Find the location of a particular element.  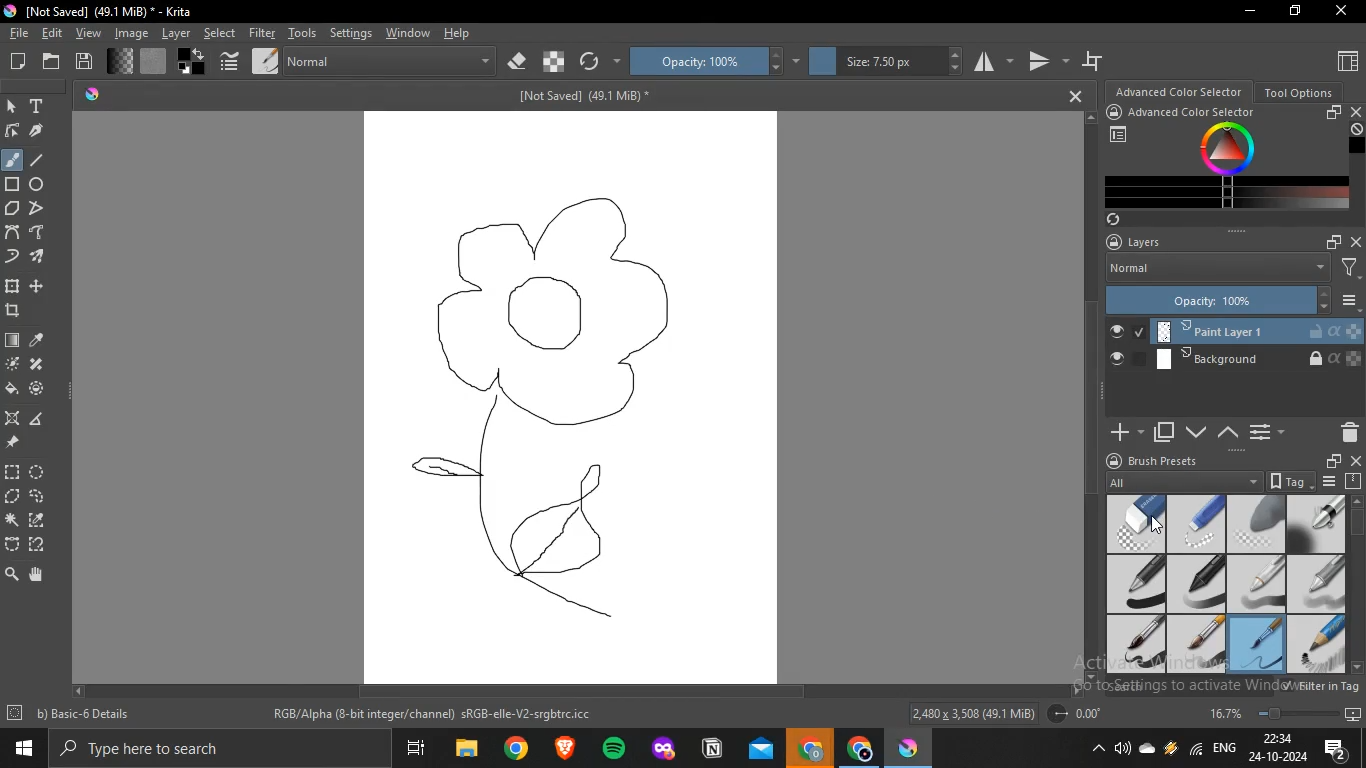

choose brush preset is located at coordinates (264, 61).